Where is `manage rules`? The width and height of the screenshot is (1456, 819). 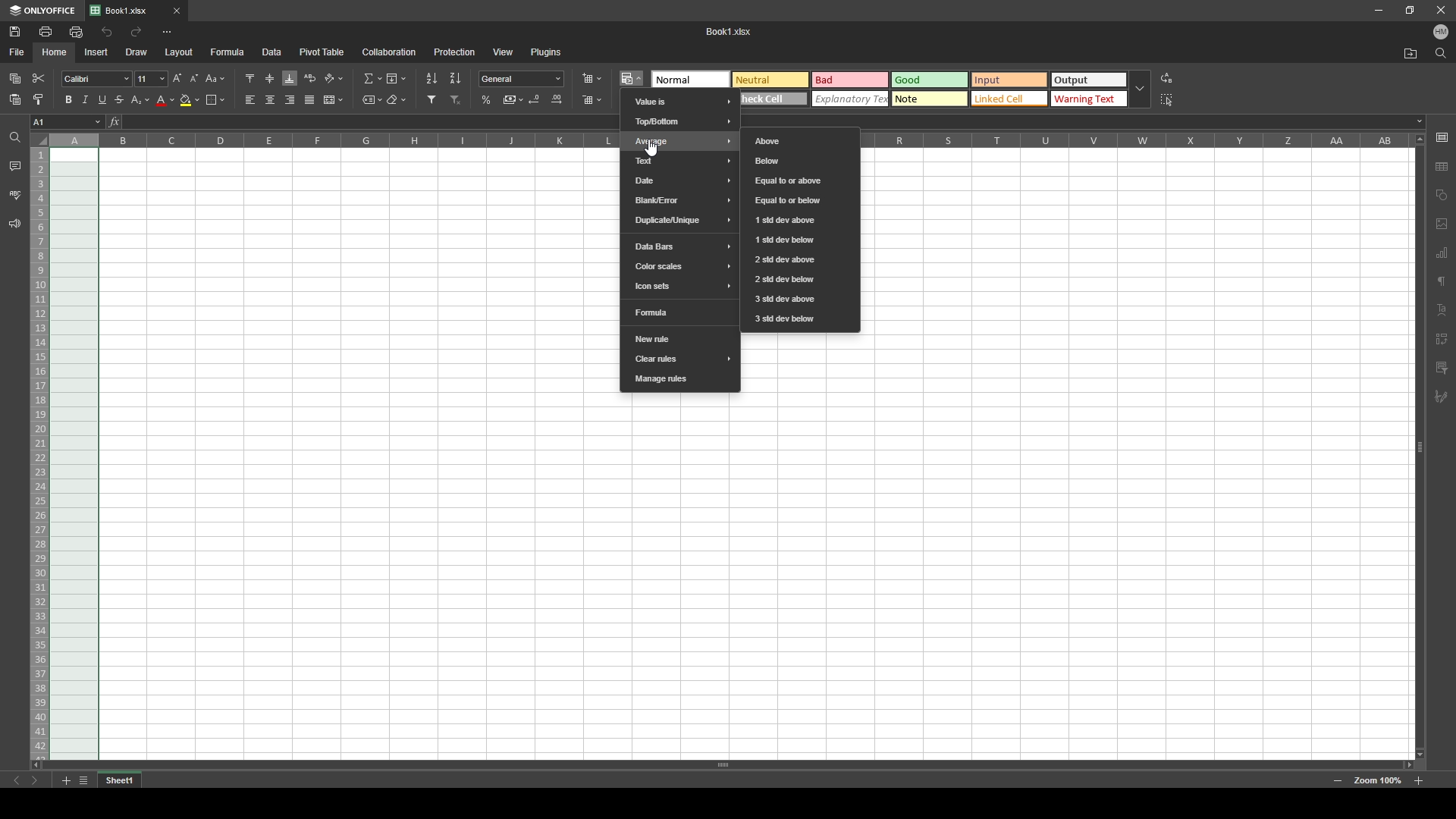
manage rules is located at coordinates (680, 380).